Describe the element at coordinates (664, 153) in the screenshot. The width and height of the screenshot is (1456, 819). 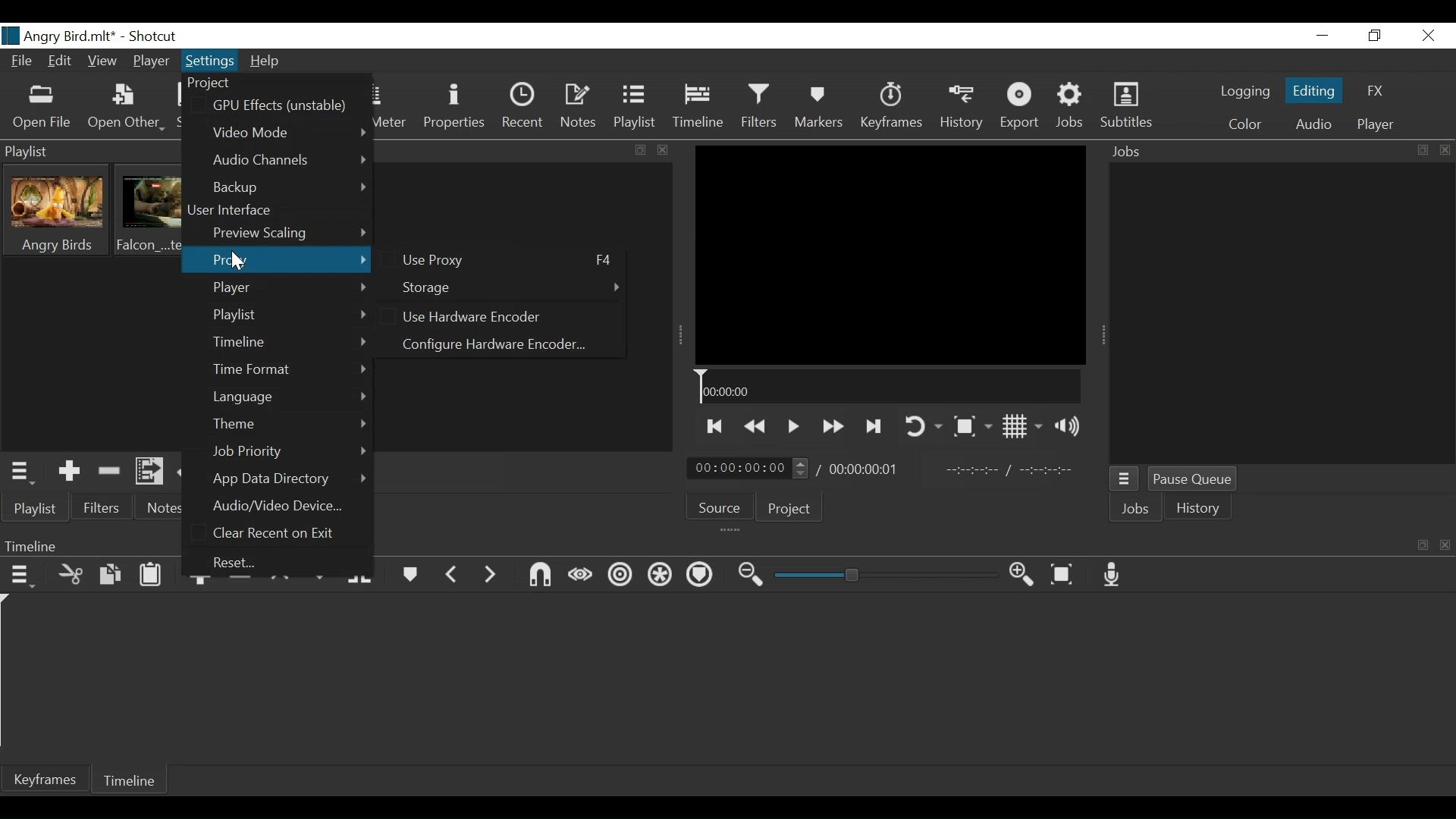
I see `close` at that location.